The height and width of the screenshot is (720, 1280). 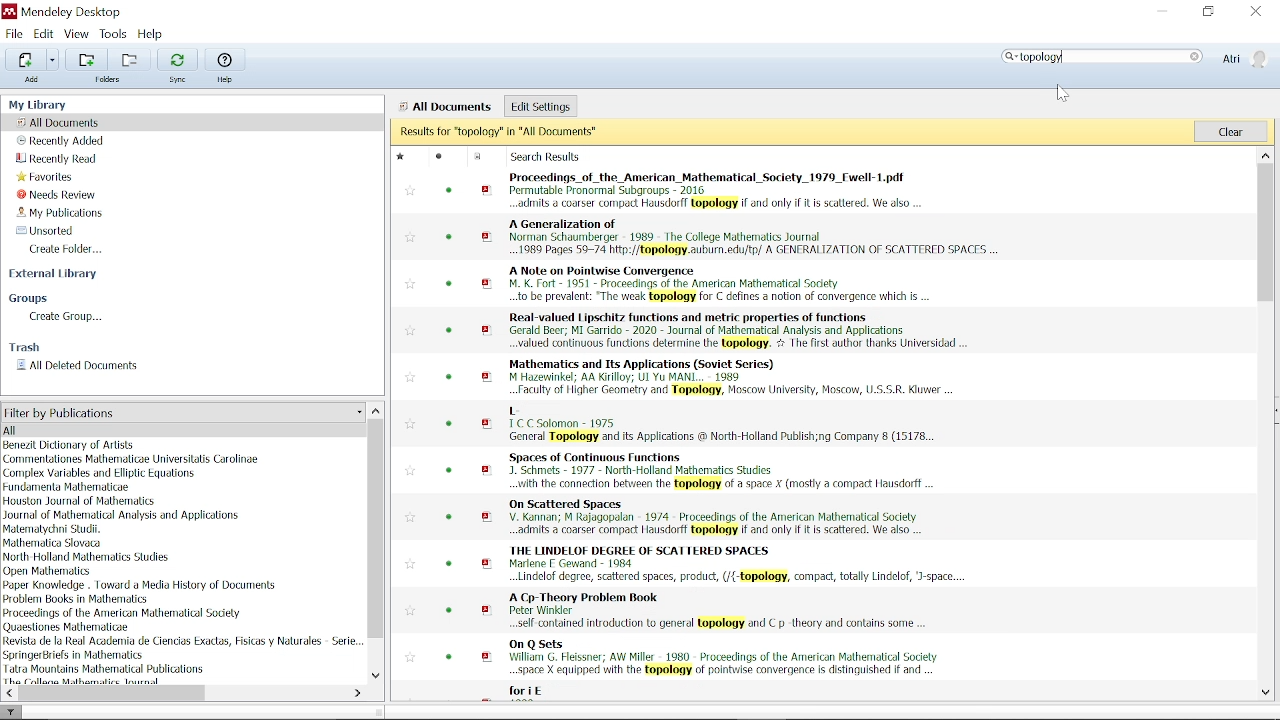 What do you see at coordinates (720, 471) in the screenshot?
I see `citation` at bounding box center [720, 471].